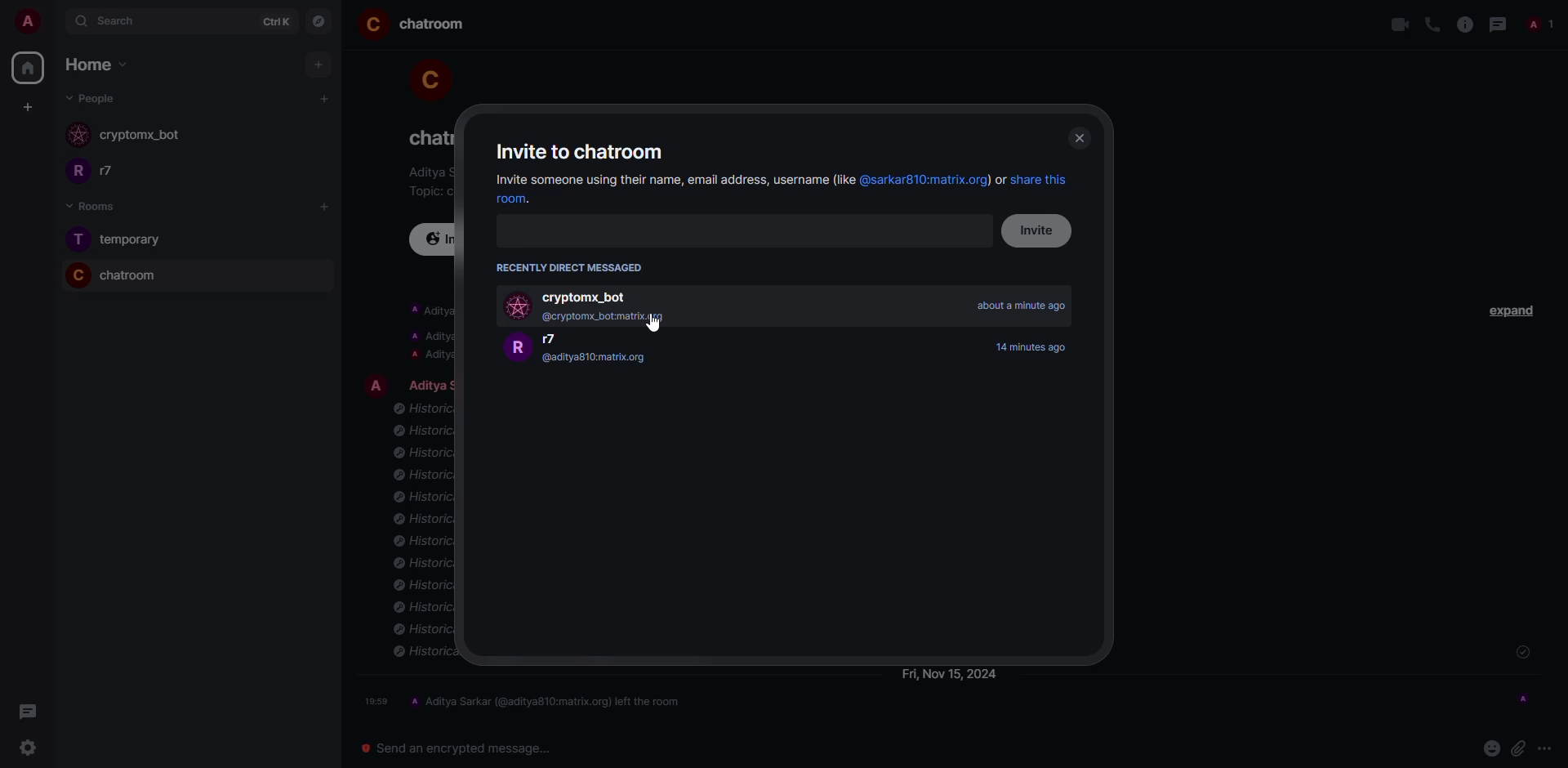  What do you see at coordinates (93, 98) in the screenshot?
I see `people` at bounding box center [93, 98].